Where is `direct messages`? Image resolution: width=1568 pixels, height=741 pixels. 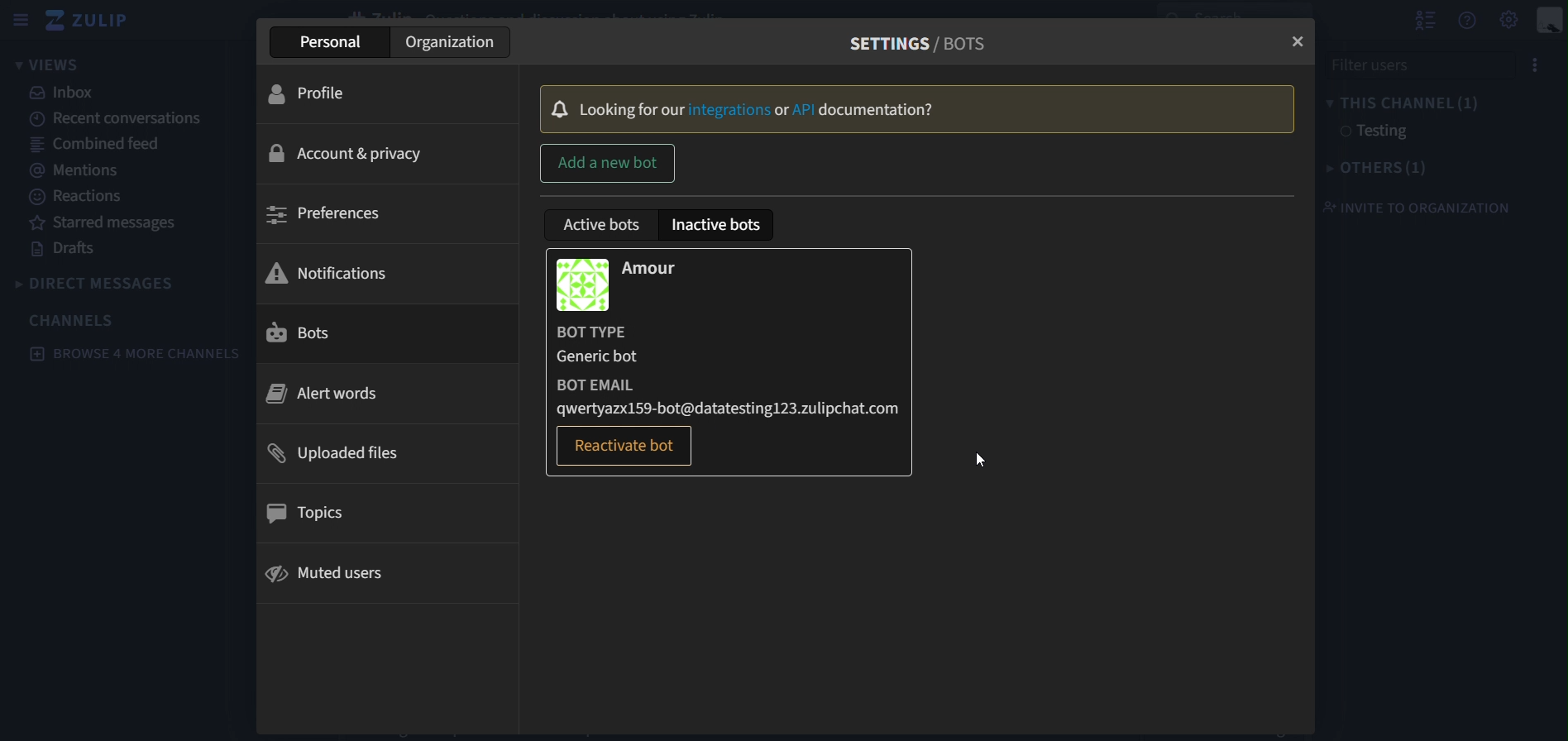
direct messages is located at coordinates (117, 283).